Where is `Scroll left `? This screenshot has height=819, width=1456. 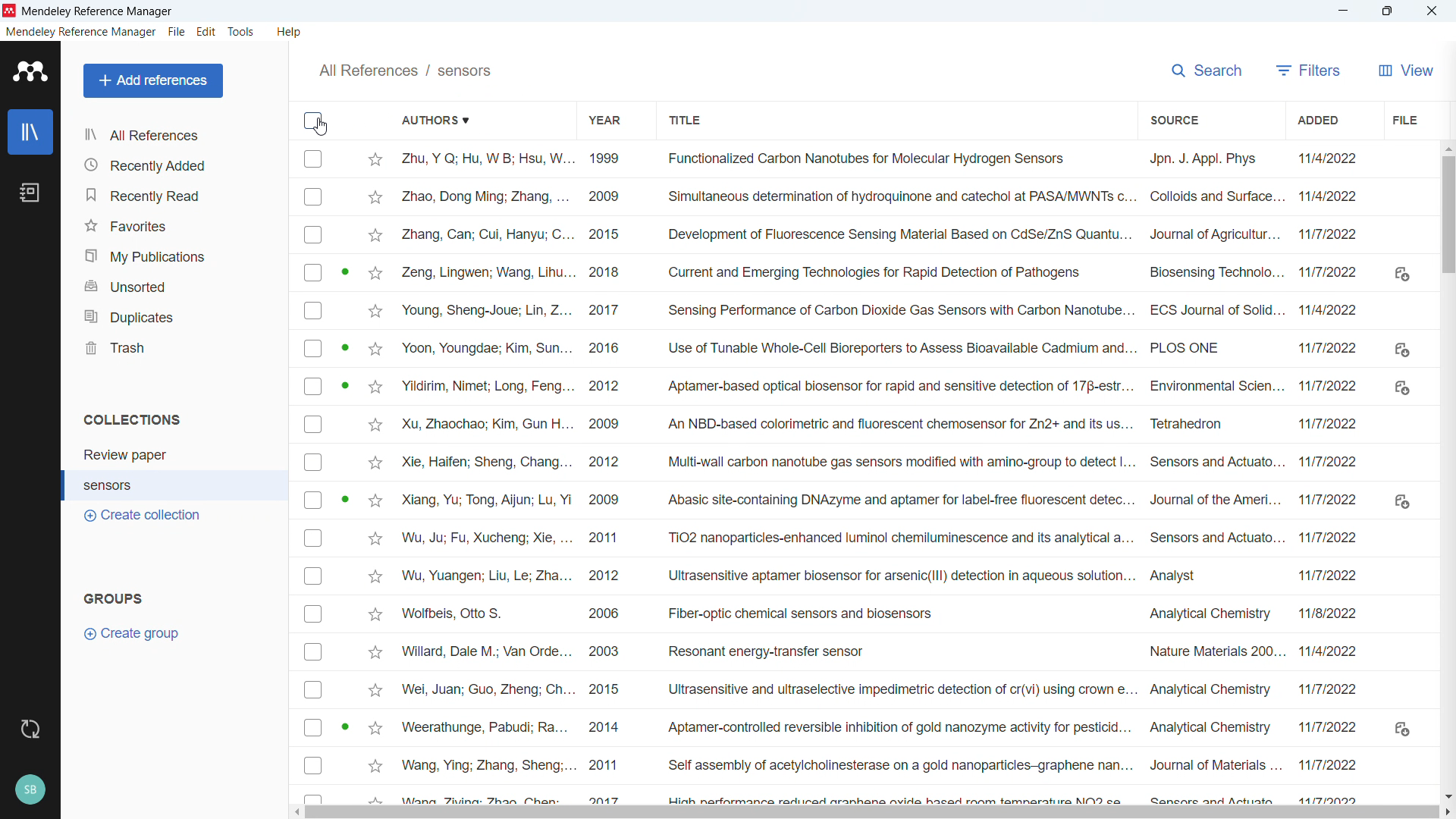 Scroll left  is located at coordinates (294, 813).